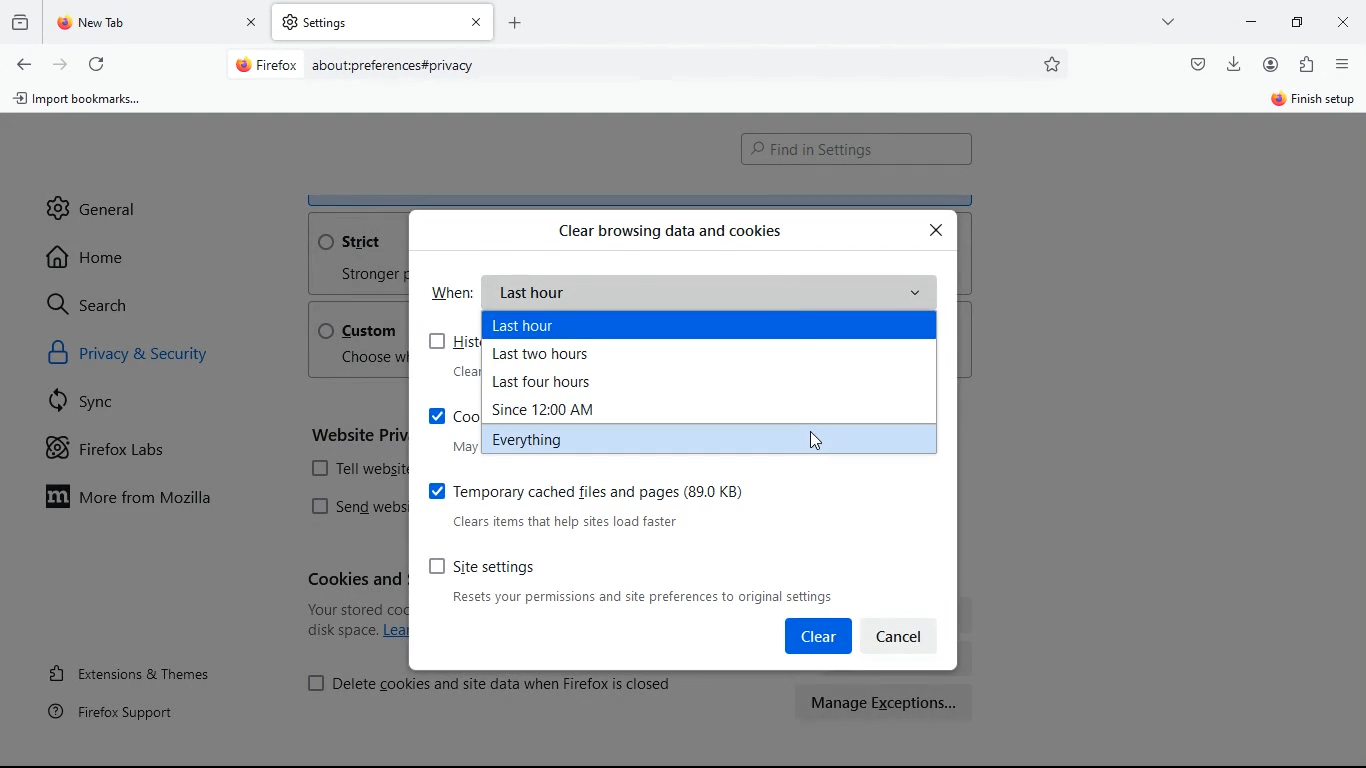 The height and width of the screenshot is (768, 1366). What do you see at coordinates (23, 21) in the screenshot?
I see `historic` at bounding box center [23, 21].